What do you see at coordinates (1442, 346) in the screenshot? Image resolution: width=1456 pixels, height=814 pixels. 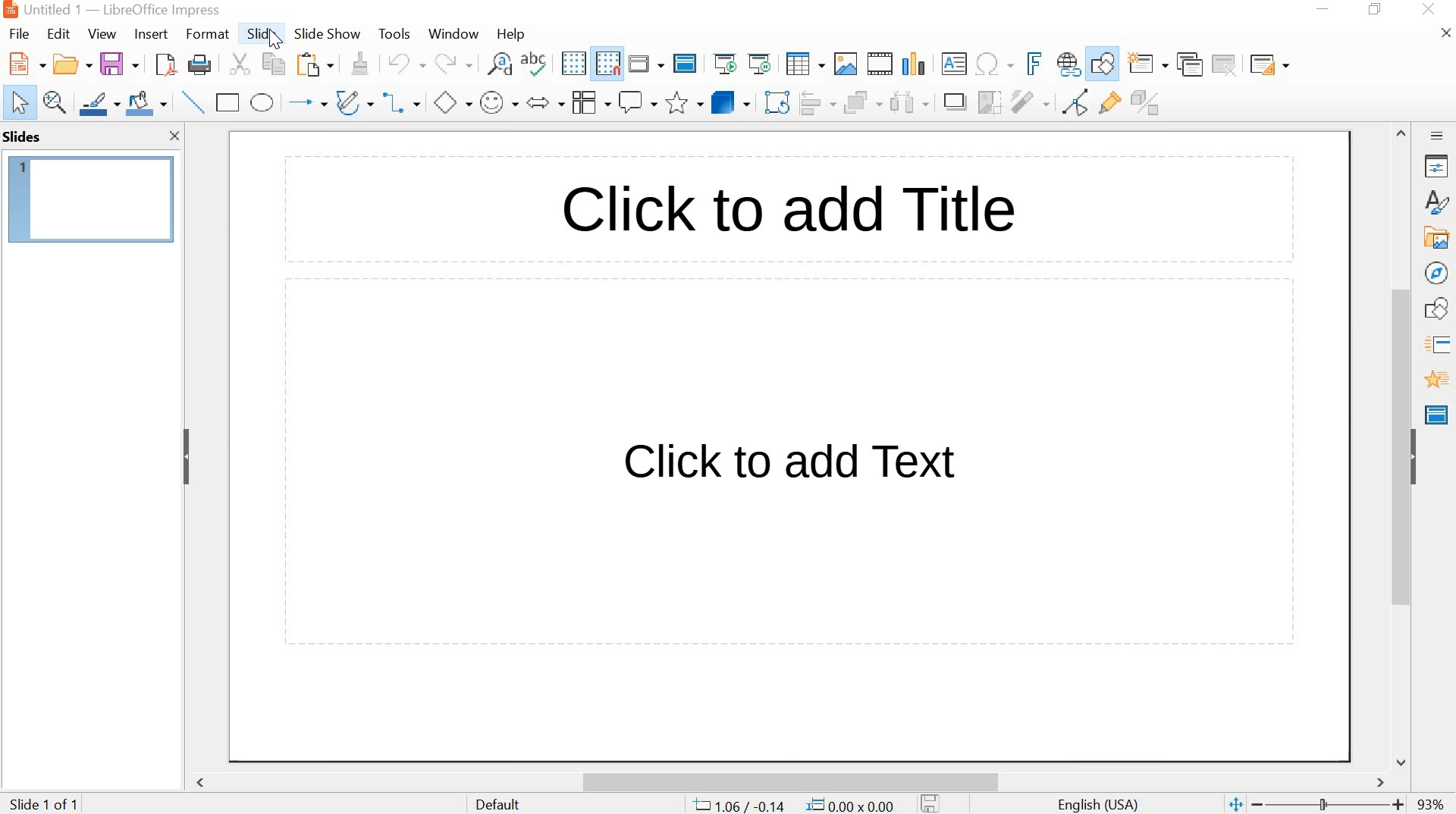 I see `Slide Transition` at bounding box center [1442, 346].